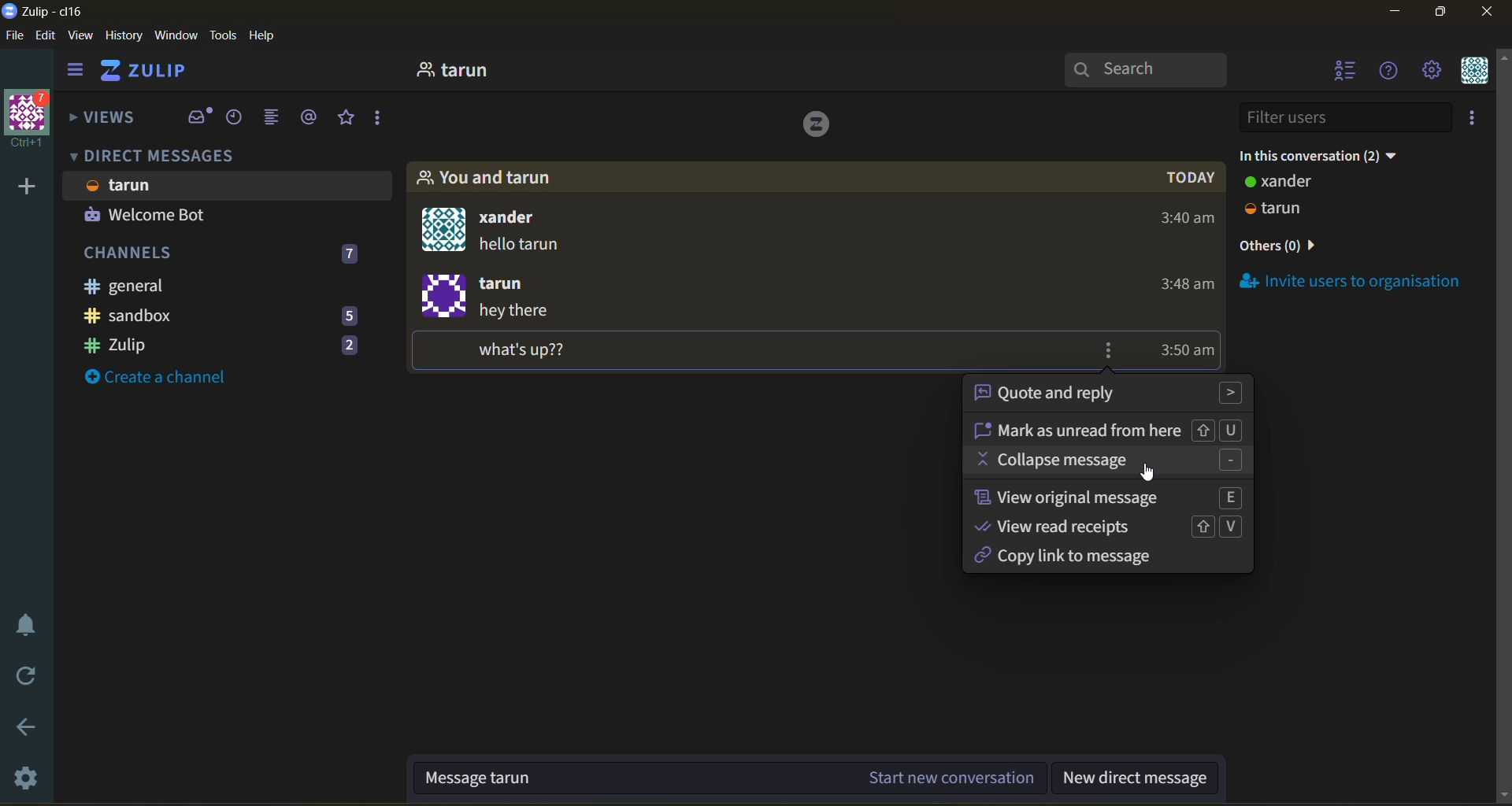 This screenshot has height=806, width=1512. I want to click on sandbox, so click(234, 317).